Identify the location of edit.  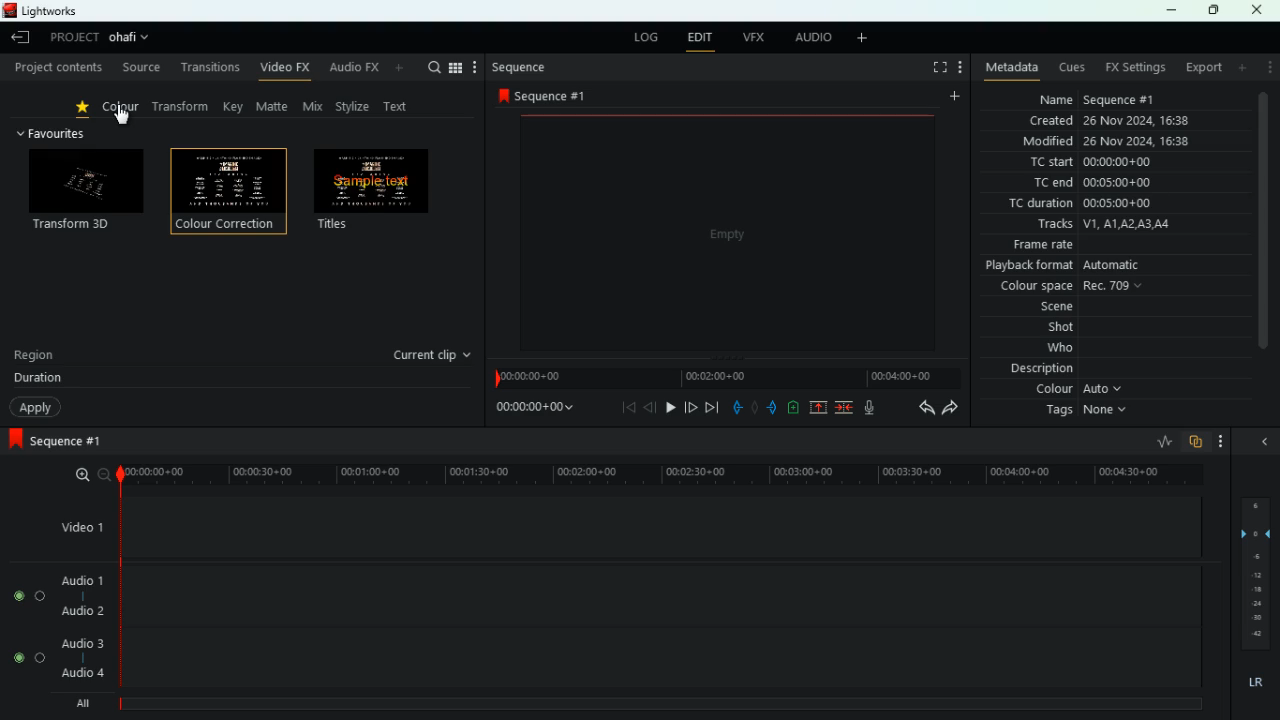
(701, 38).